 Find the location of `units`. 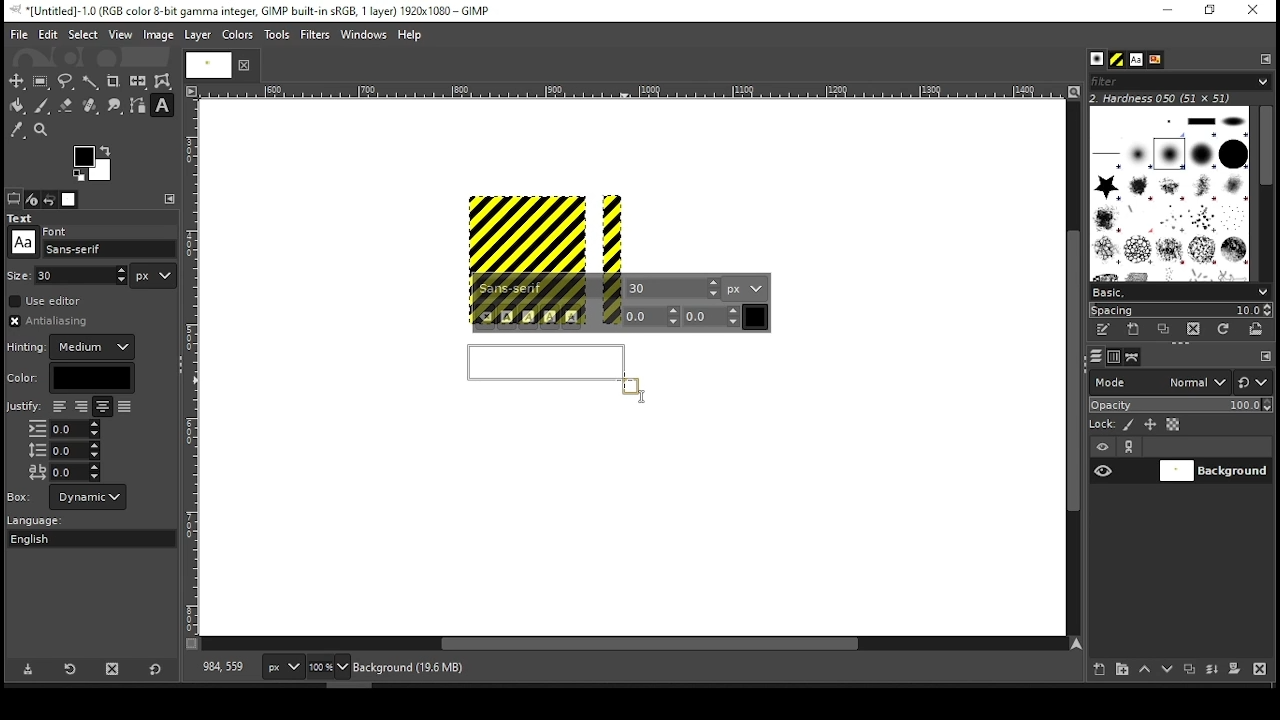

units is located at coordinates (154, 276).